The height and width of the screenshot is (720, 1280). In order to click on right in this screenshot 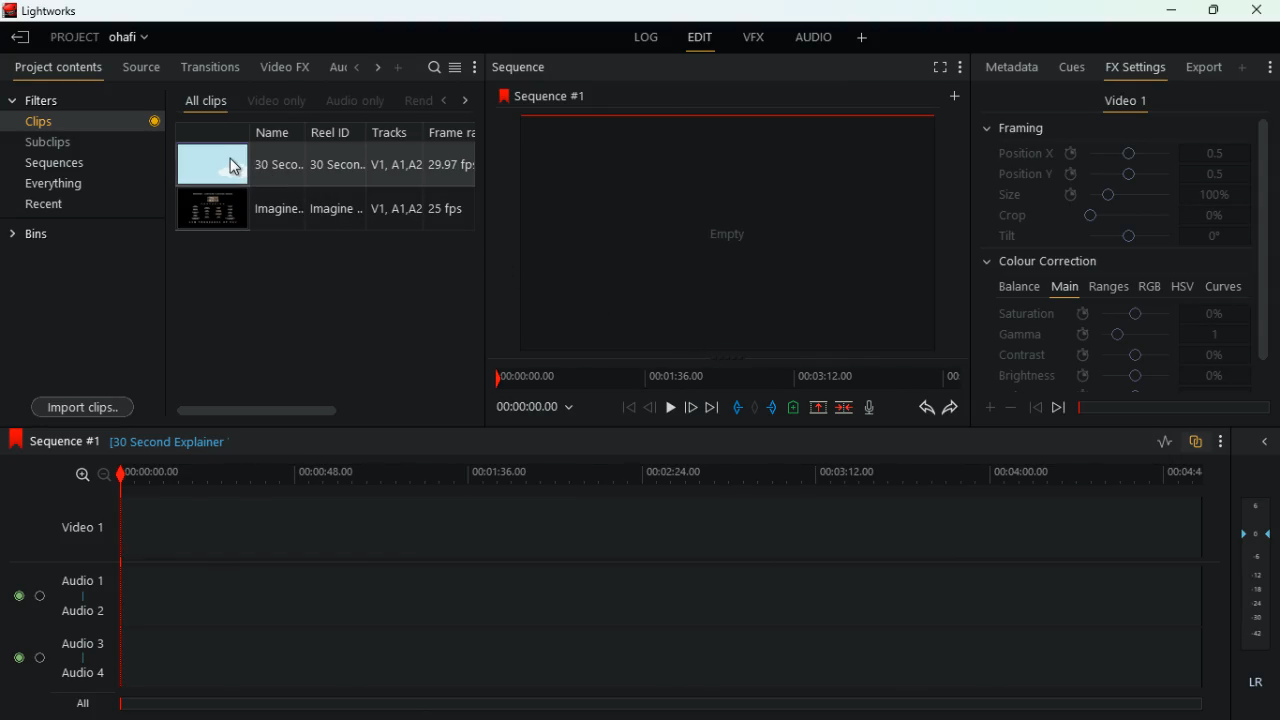, I will do `click(466, 101)`.